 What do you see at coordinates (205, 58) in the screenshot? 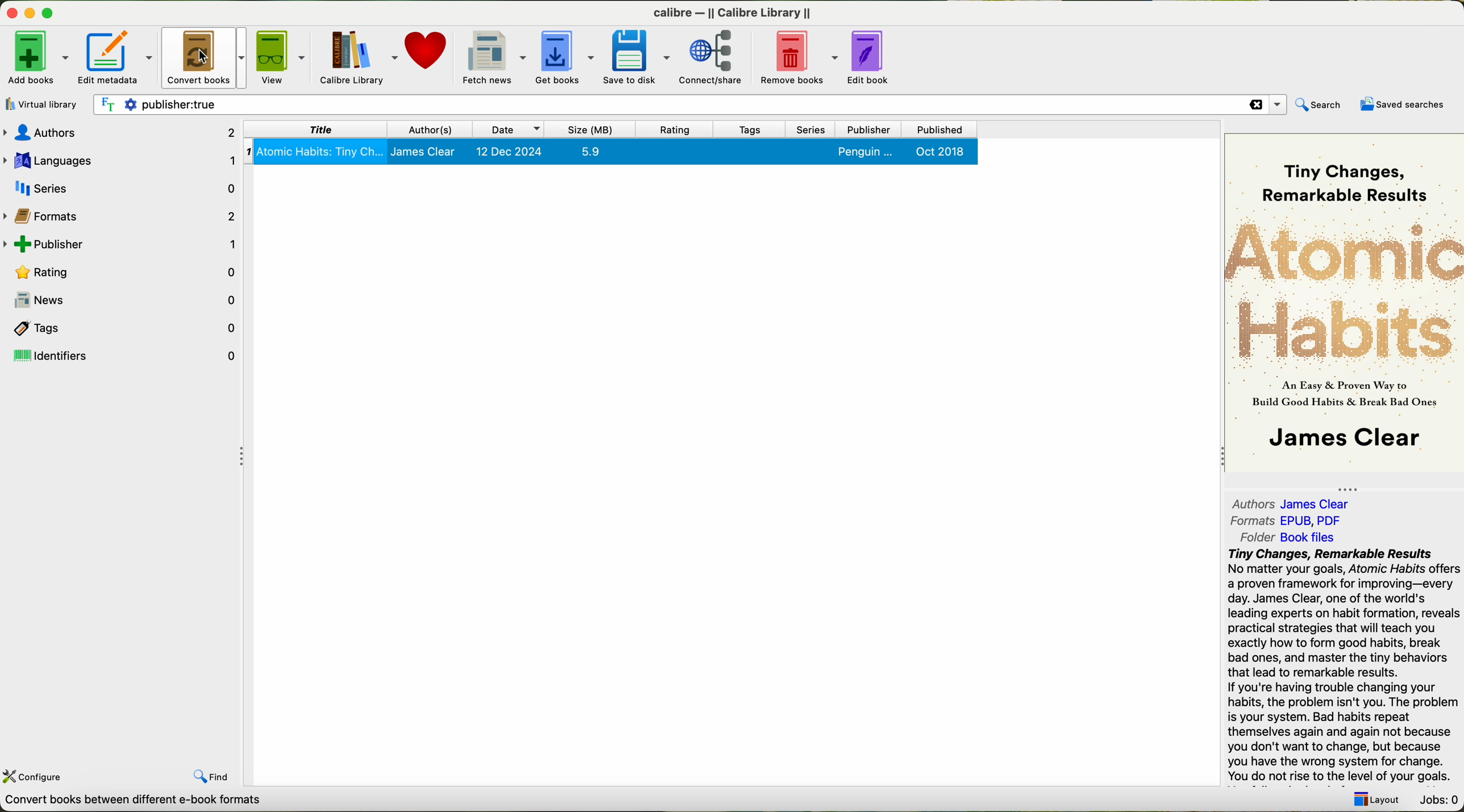
I see `cursor` at bounding box center [205, 58].